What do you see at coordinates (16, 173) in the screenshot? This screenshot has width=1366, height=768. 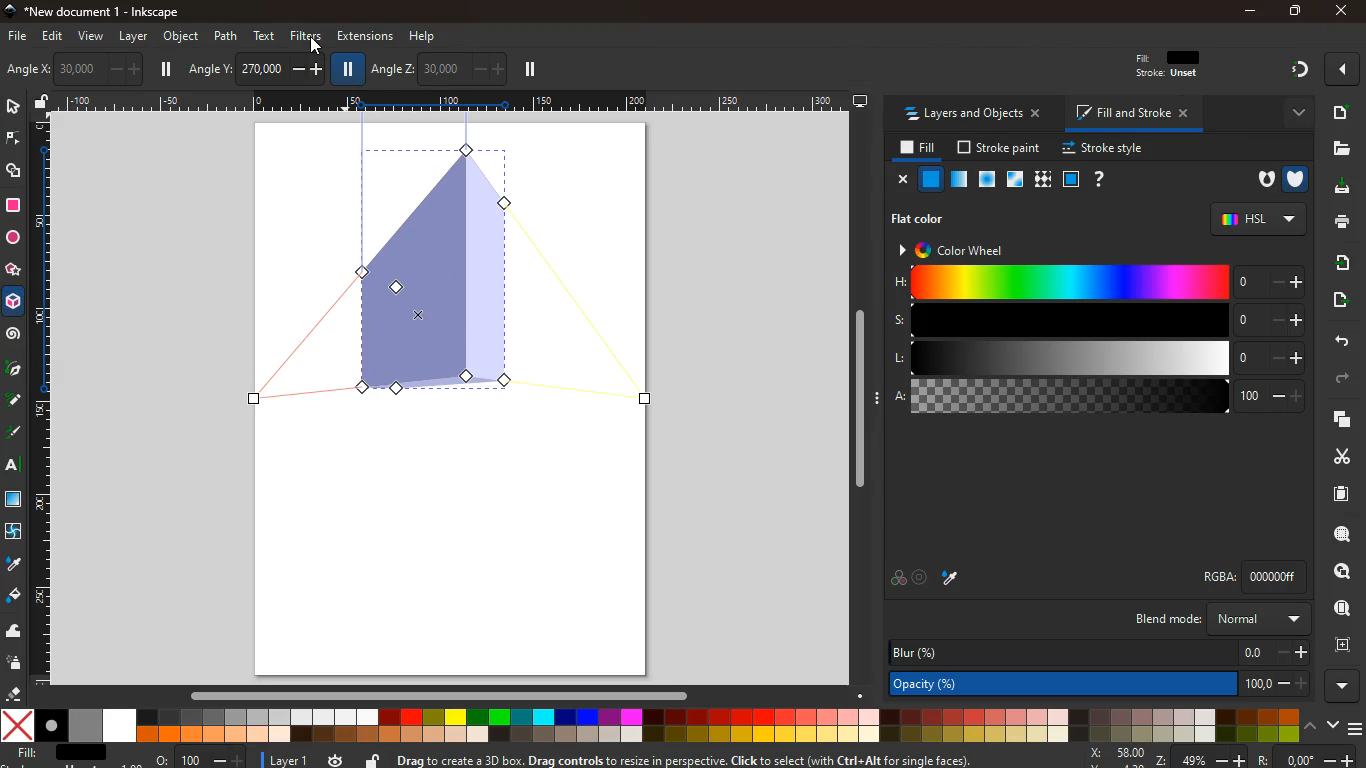 I see `shapes` at bounding box center [16, 173].